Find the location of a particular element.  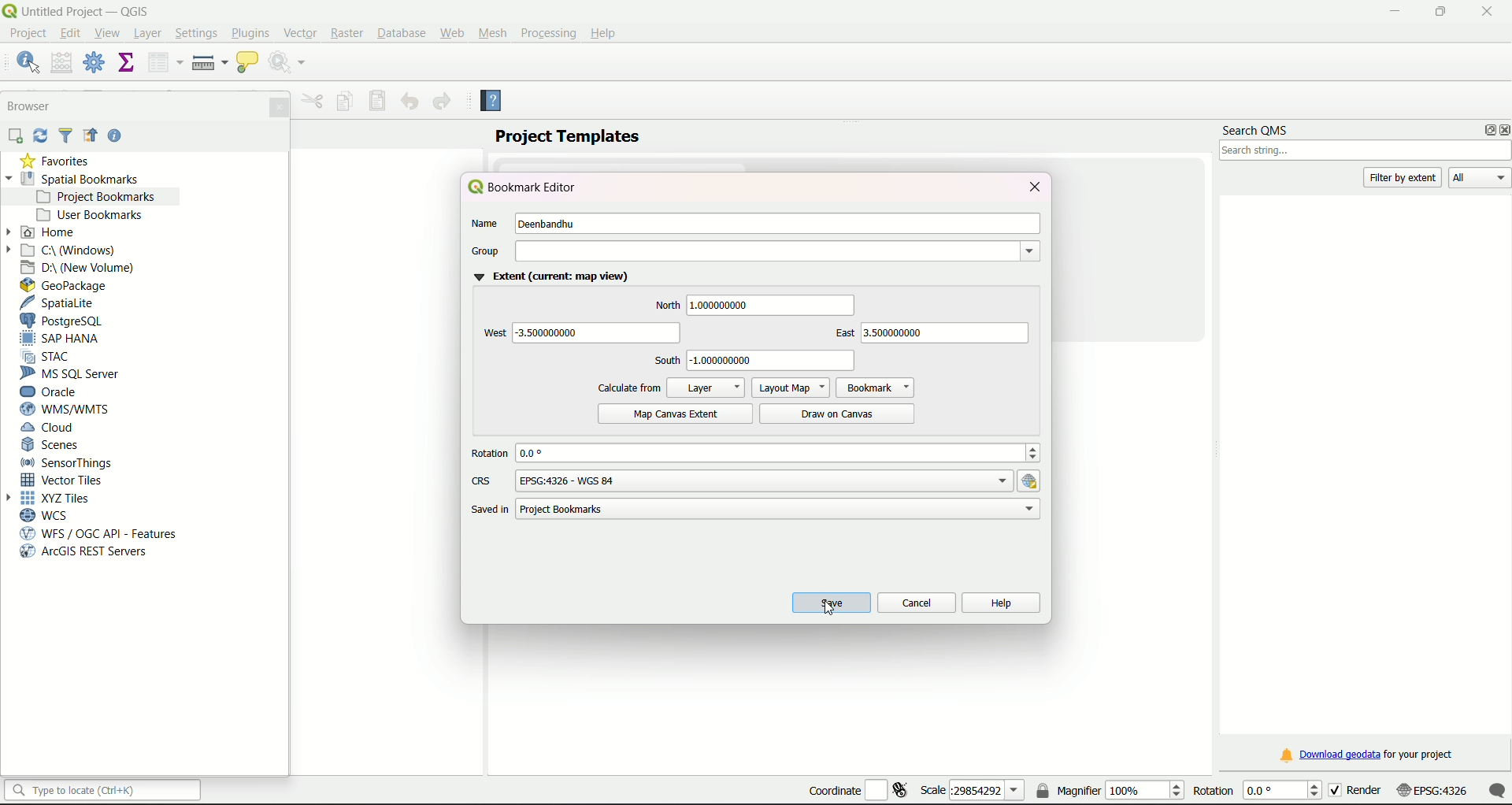

open attribute table is located at coordinates (163, 63).